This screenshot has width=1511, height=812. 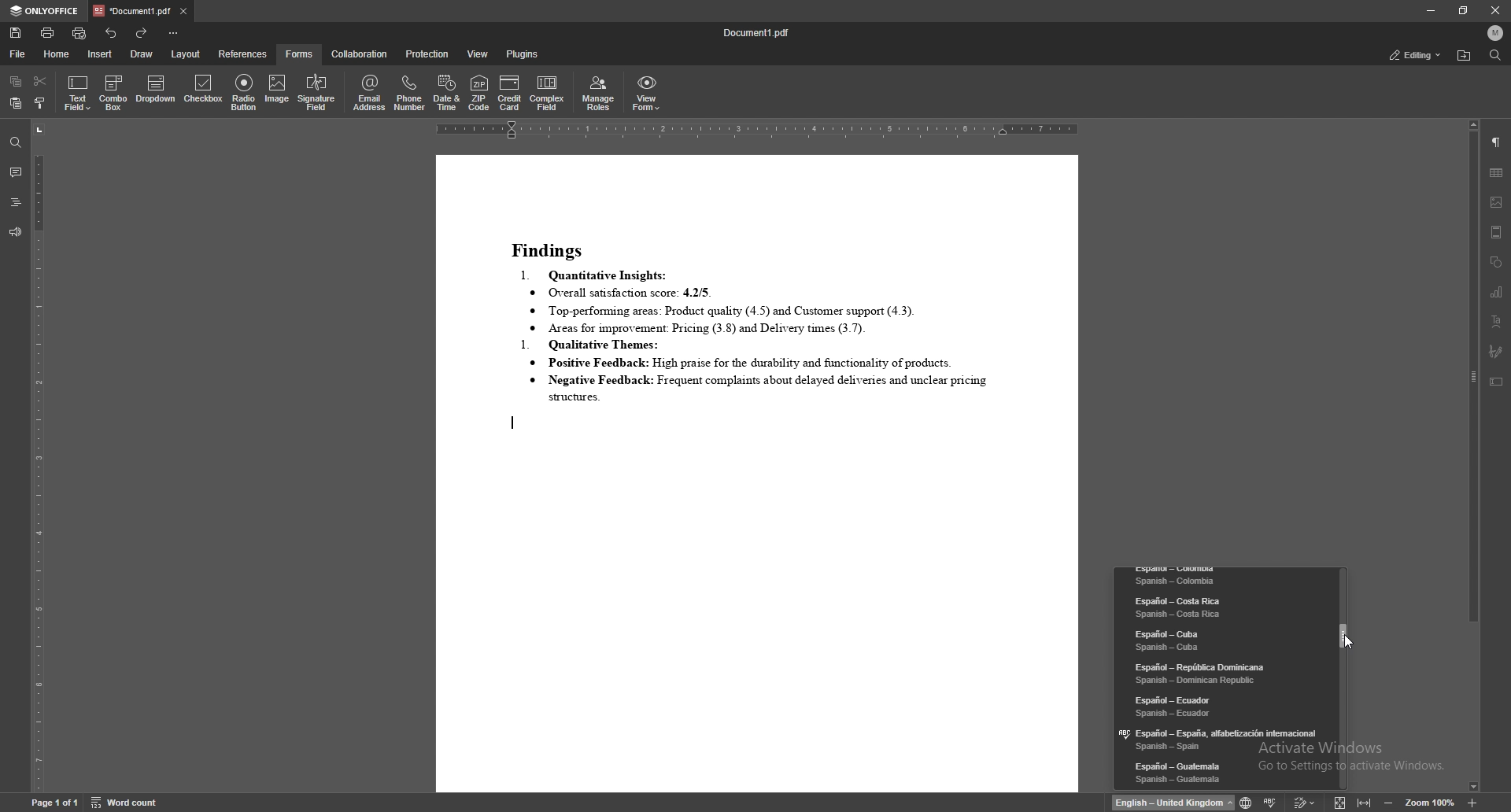 What do you see at coordinates (203, 91) in the screenshot?
I see `checkbox` at bounding box center [203, 91].